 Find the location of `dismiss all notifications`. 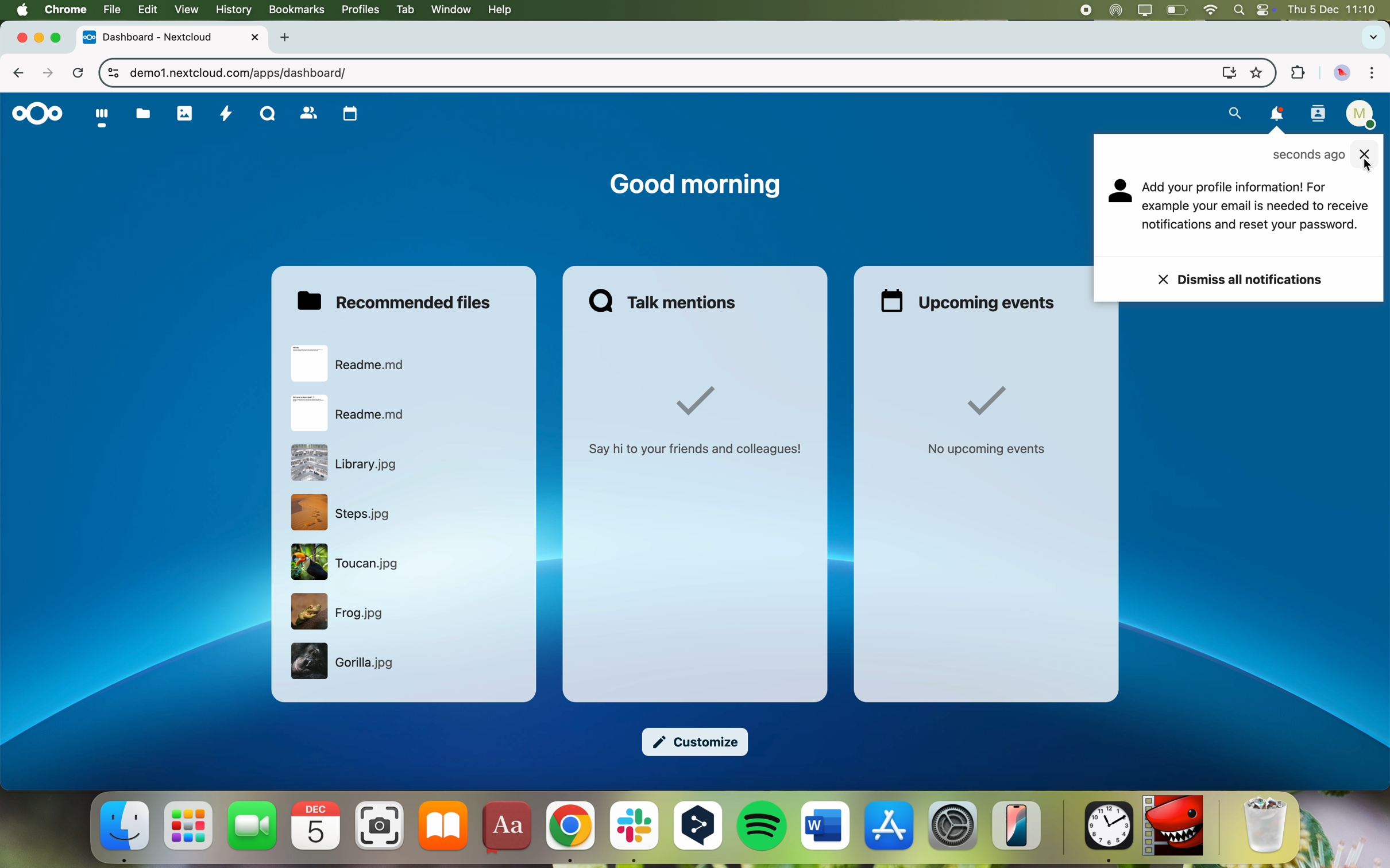

dismiss all notifications is located at coordinates (1242, 279).